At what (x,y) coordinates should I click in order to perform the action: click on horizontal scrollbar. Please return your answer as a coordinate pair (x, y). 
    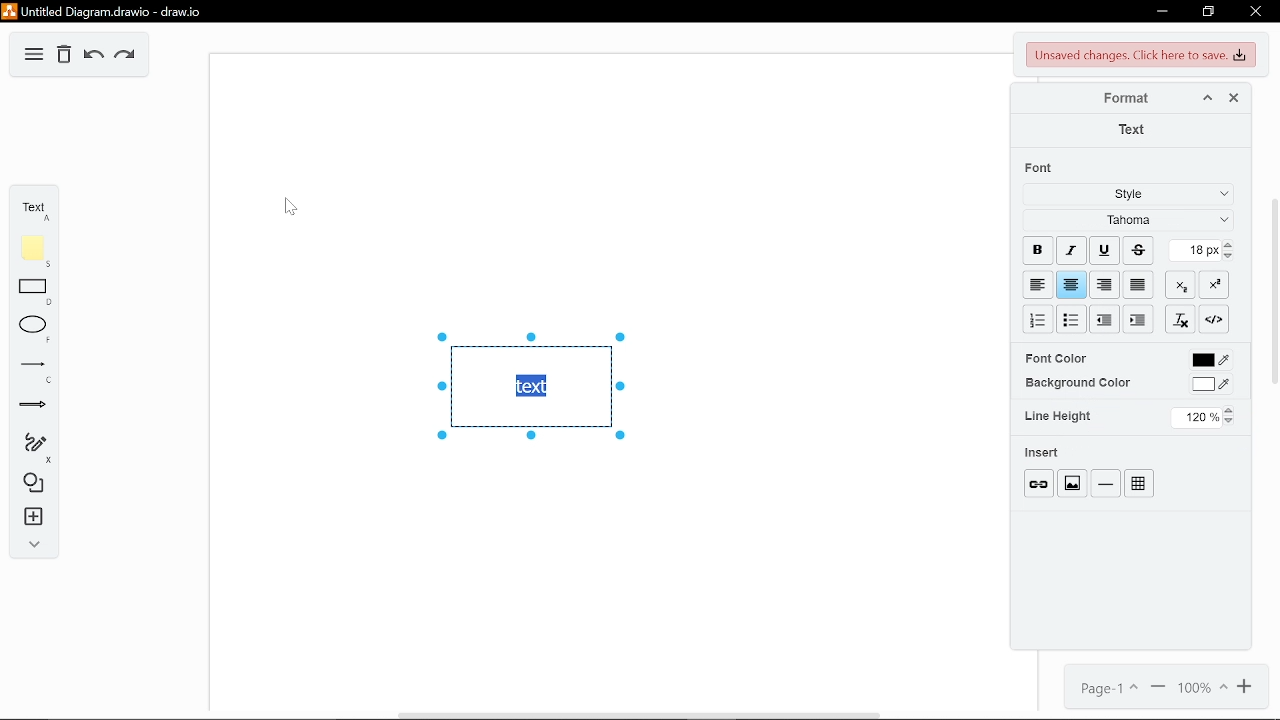
    Looking at the image, I should click on (639, 715).